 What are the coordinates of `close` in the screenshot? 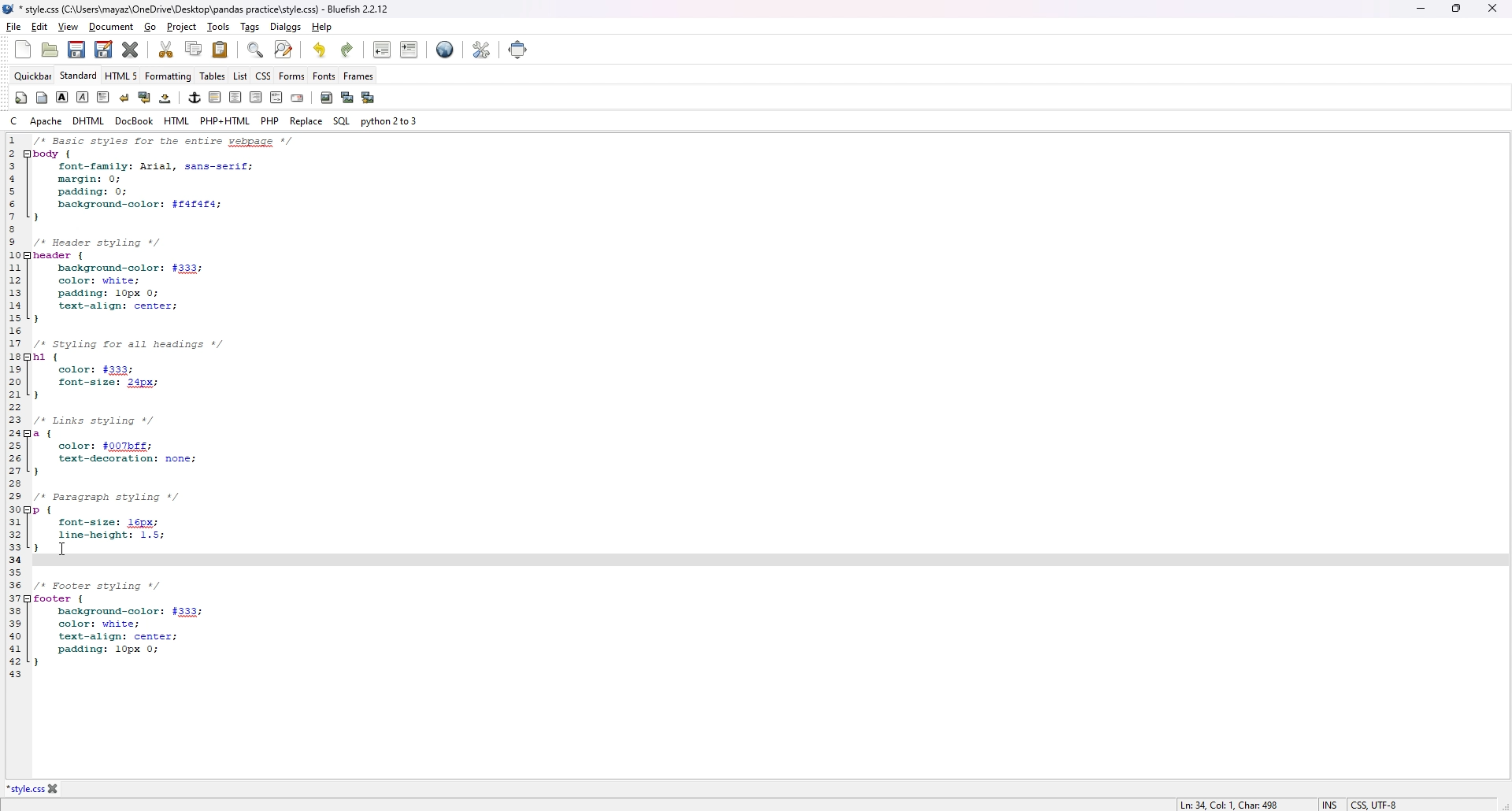 It's located at (1492, 7).